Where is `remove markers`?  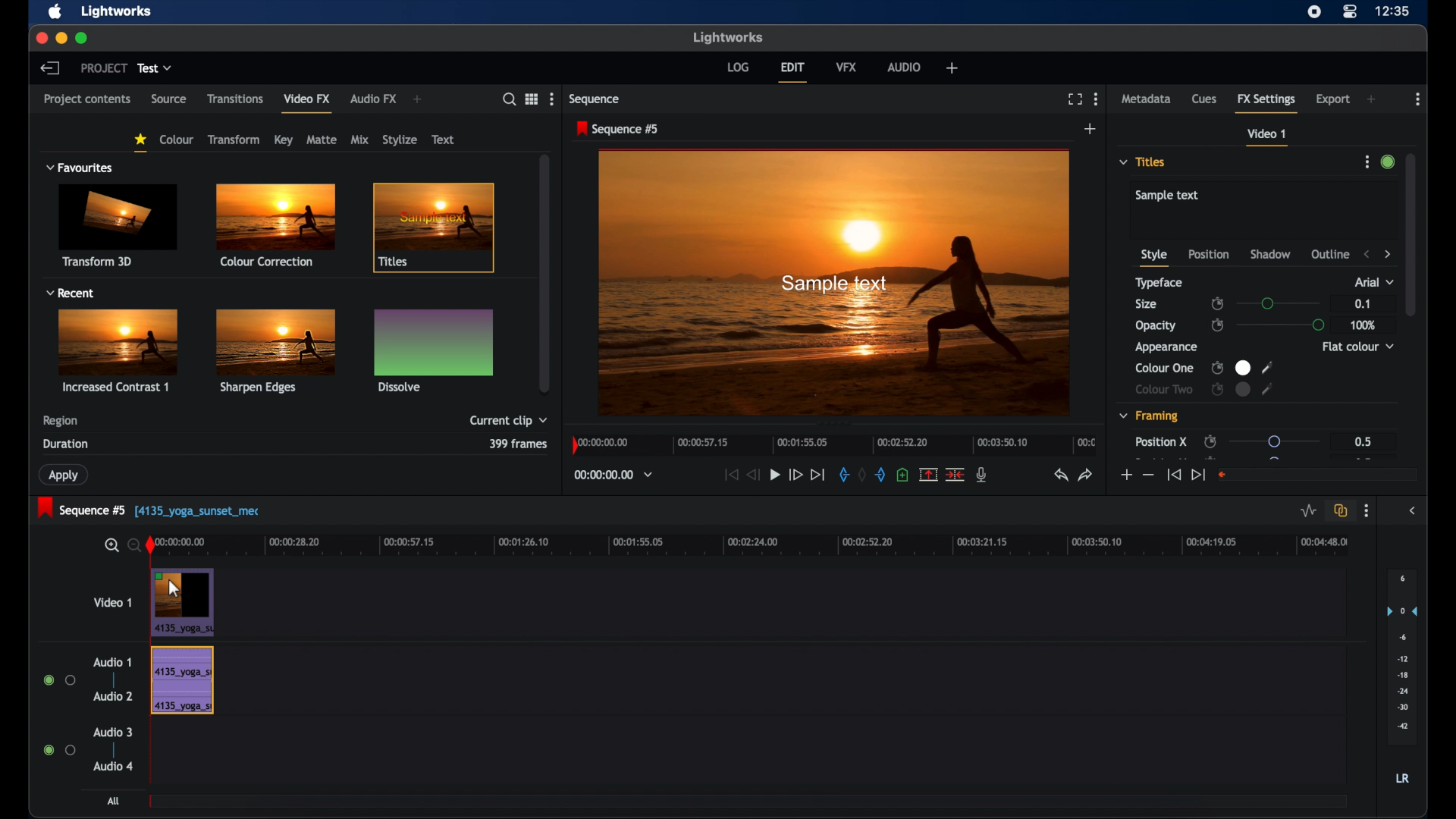
remove markers is located at coordinates (861, 475).